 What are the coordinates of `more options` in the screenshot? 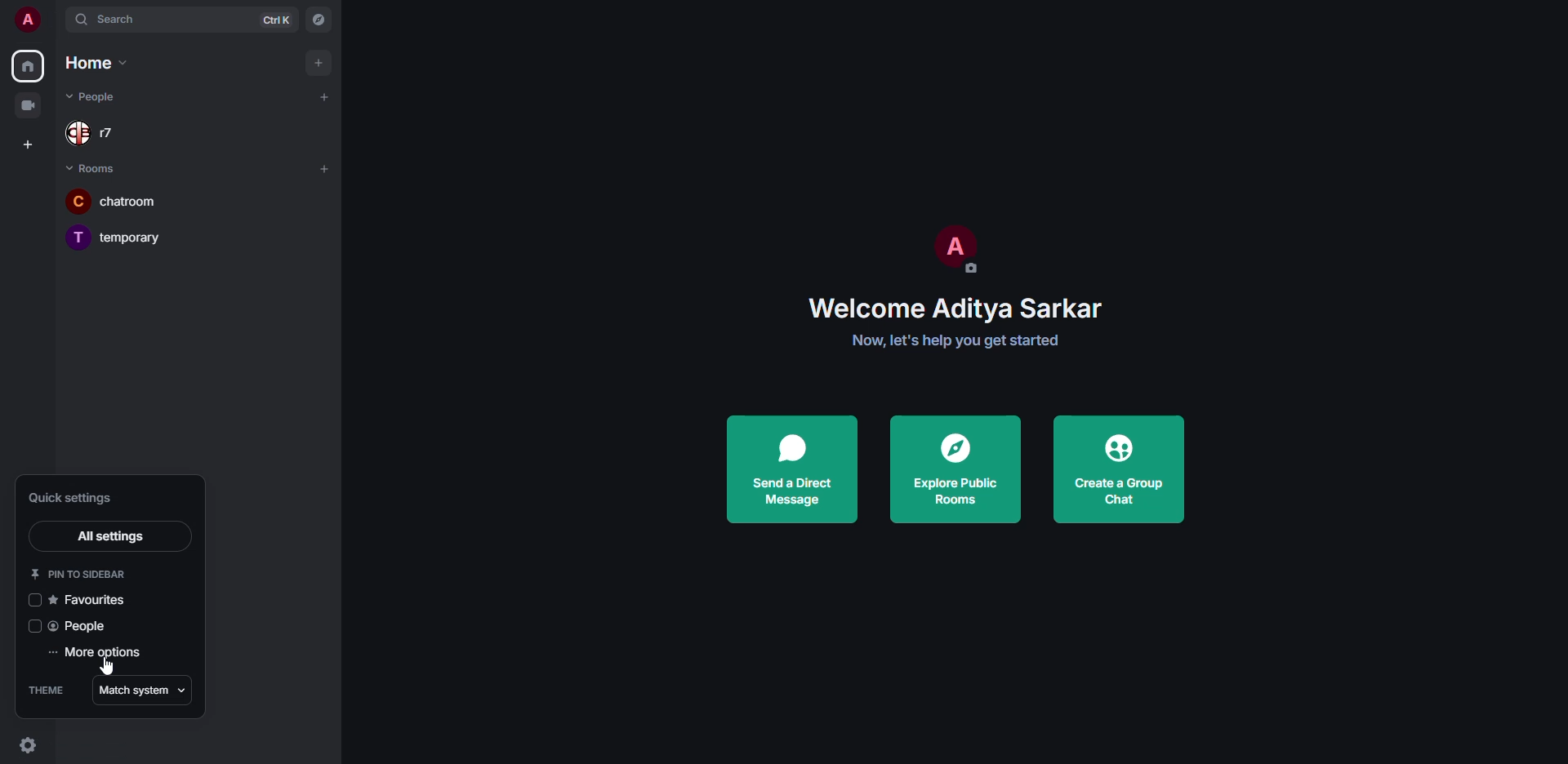 It's located at (99, 655).